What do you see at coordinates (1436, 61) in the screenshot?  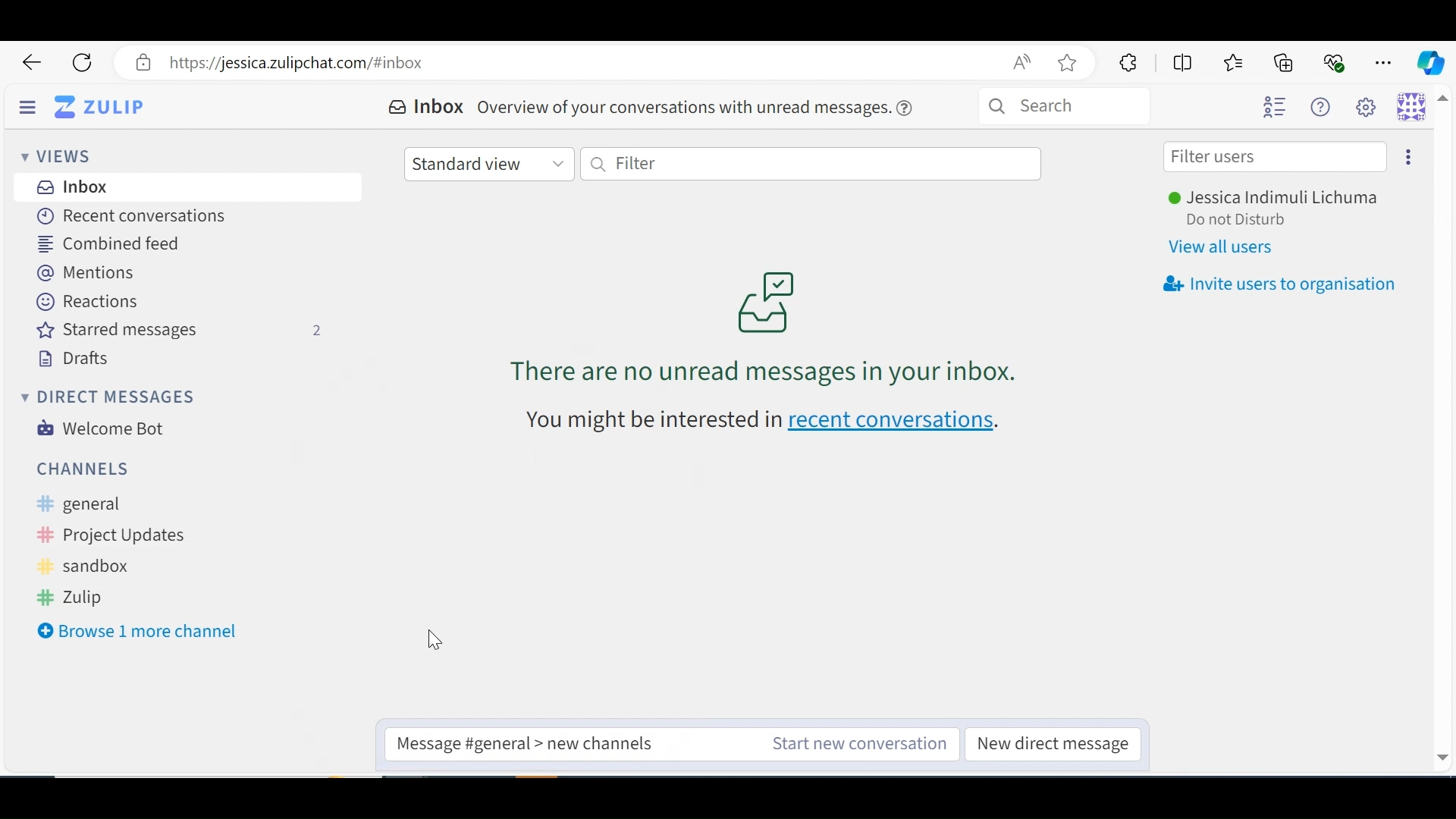 I see `` at bounding box center [1436, 61].